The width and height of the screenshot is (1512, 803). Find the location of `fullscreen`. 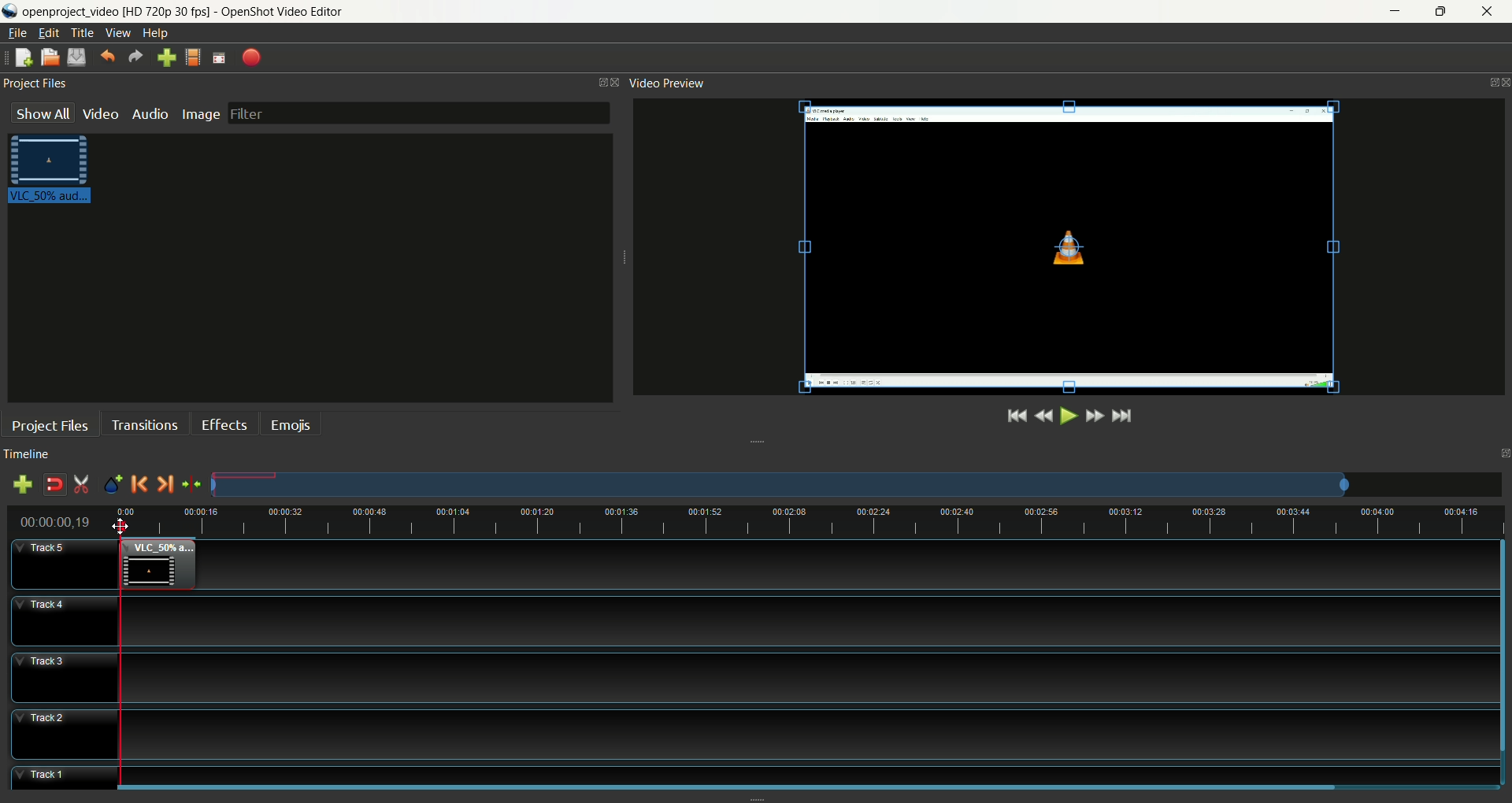

fullscreen is located at coordinates (219, 56).